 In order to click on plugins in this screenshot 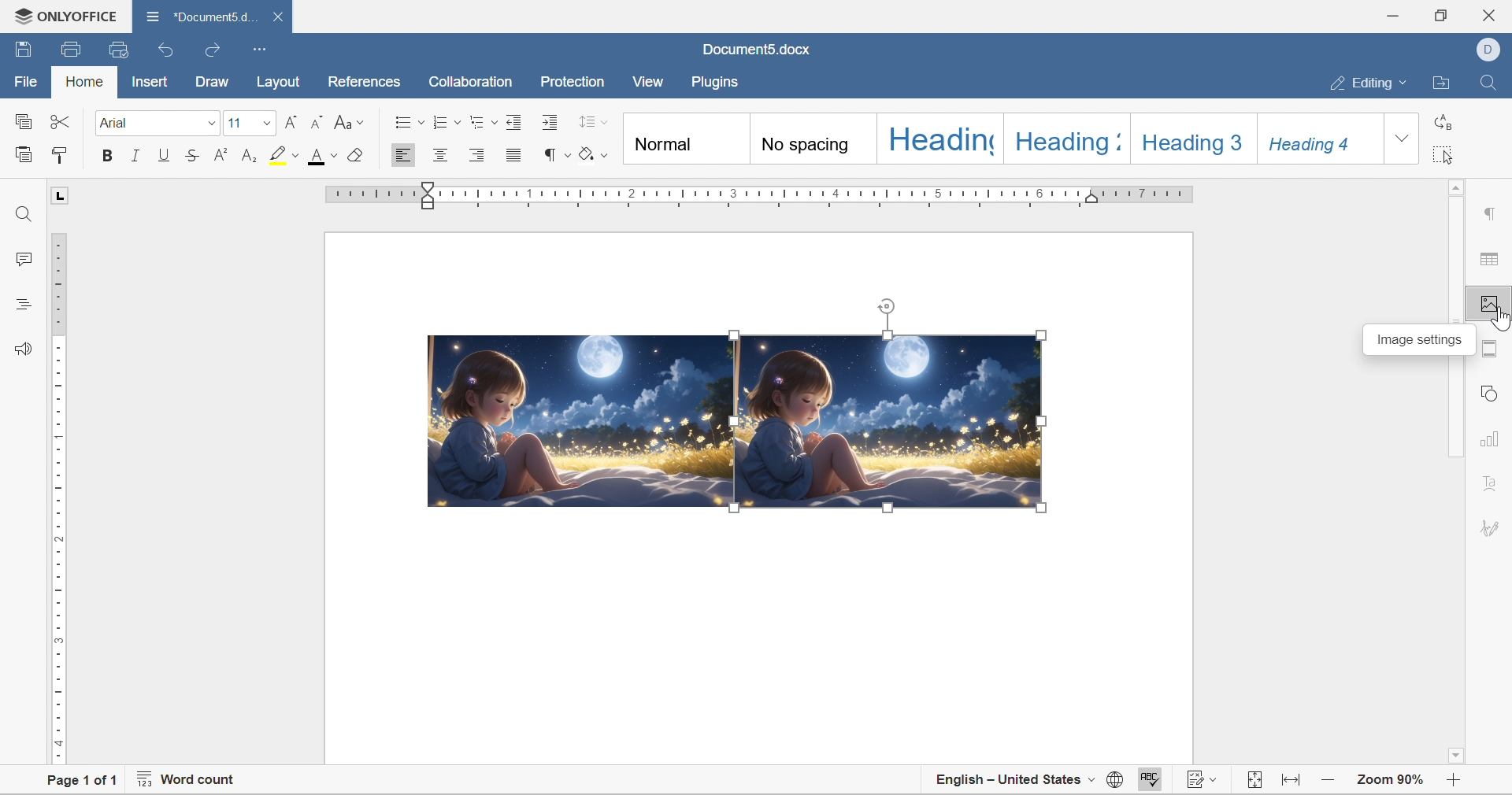, I will do `click(720, 82)`.